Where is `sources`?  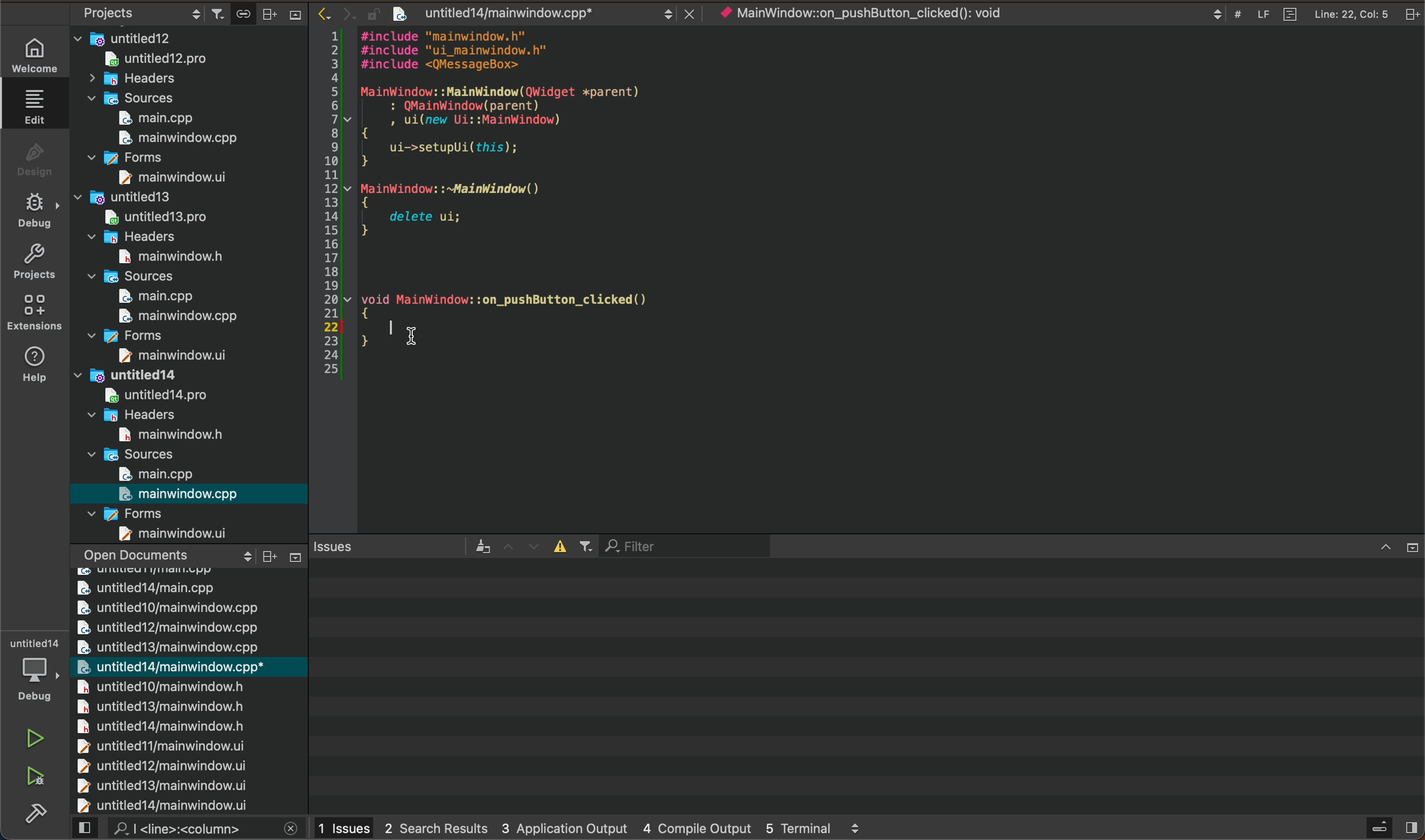 sources is located at coordinates (133, 100).